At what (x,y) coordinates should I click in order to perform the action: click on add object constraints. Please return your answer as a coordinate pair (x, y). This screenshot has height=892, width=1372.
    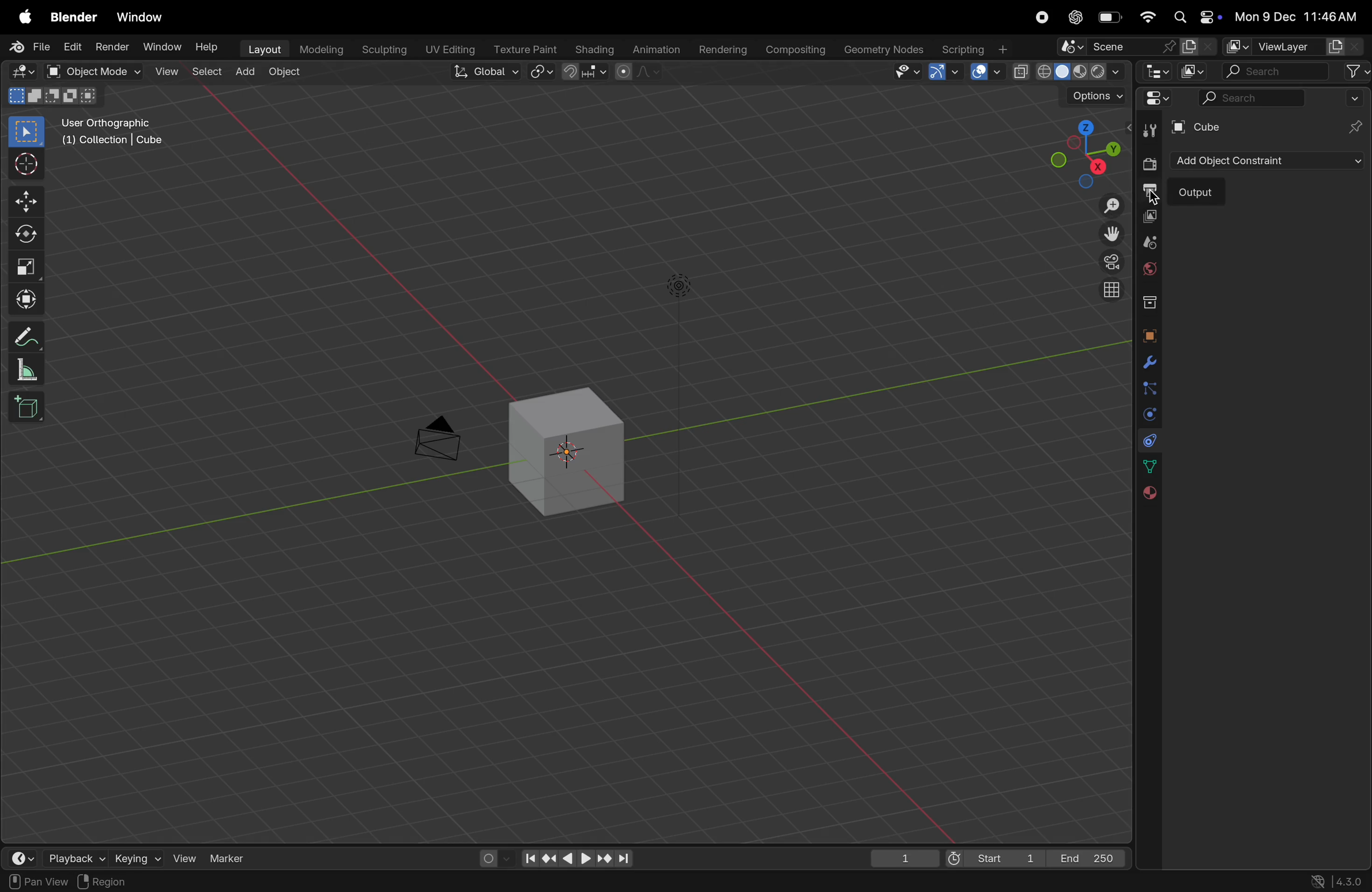
    Looking at the image, I should click on (1273, 161).